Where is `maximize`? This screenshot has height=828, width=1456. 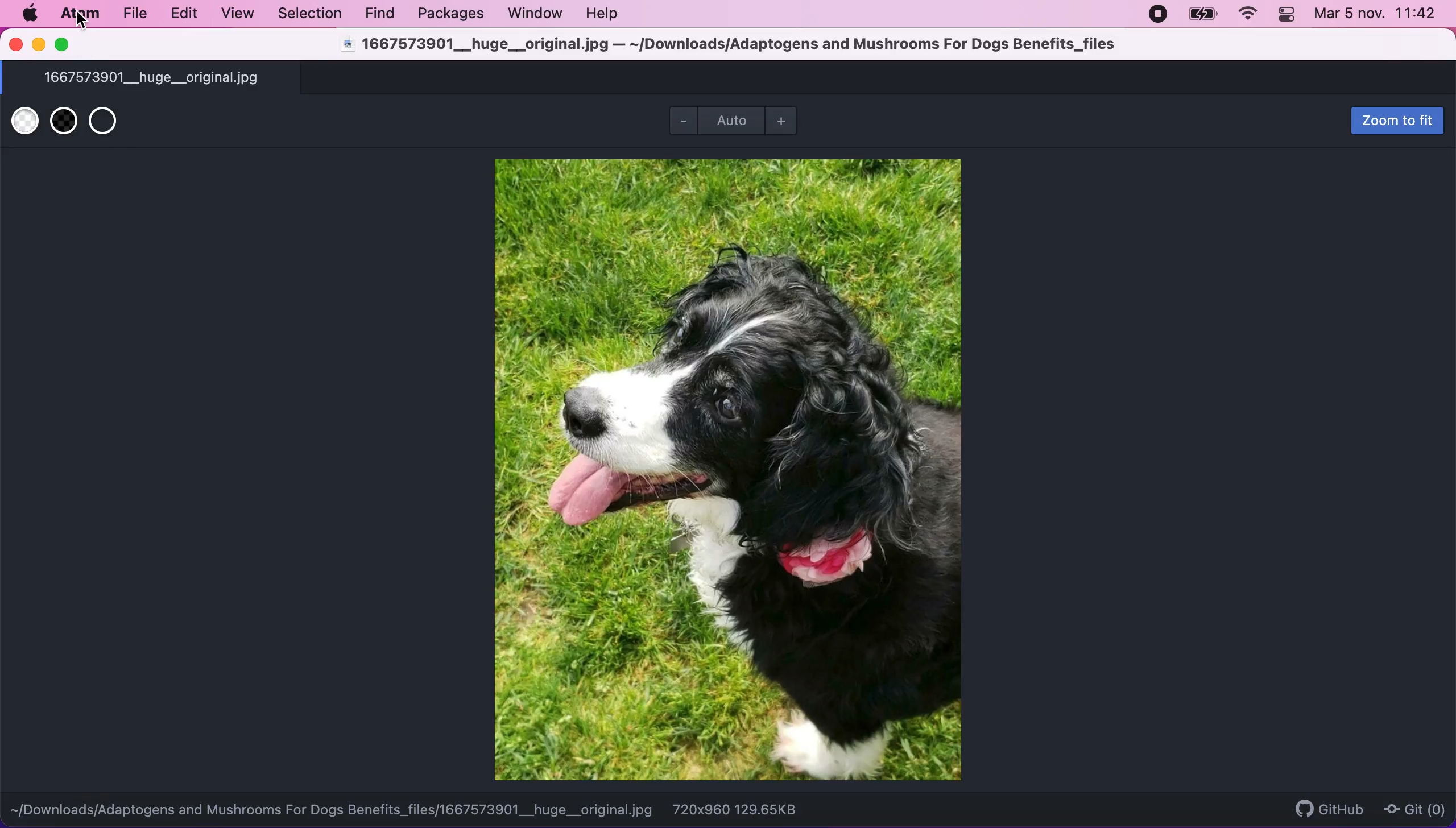
maximize is located at coordinates (73, 45).